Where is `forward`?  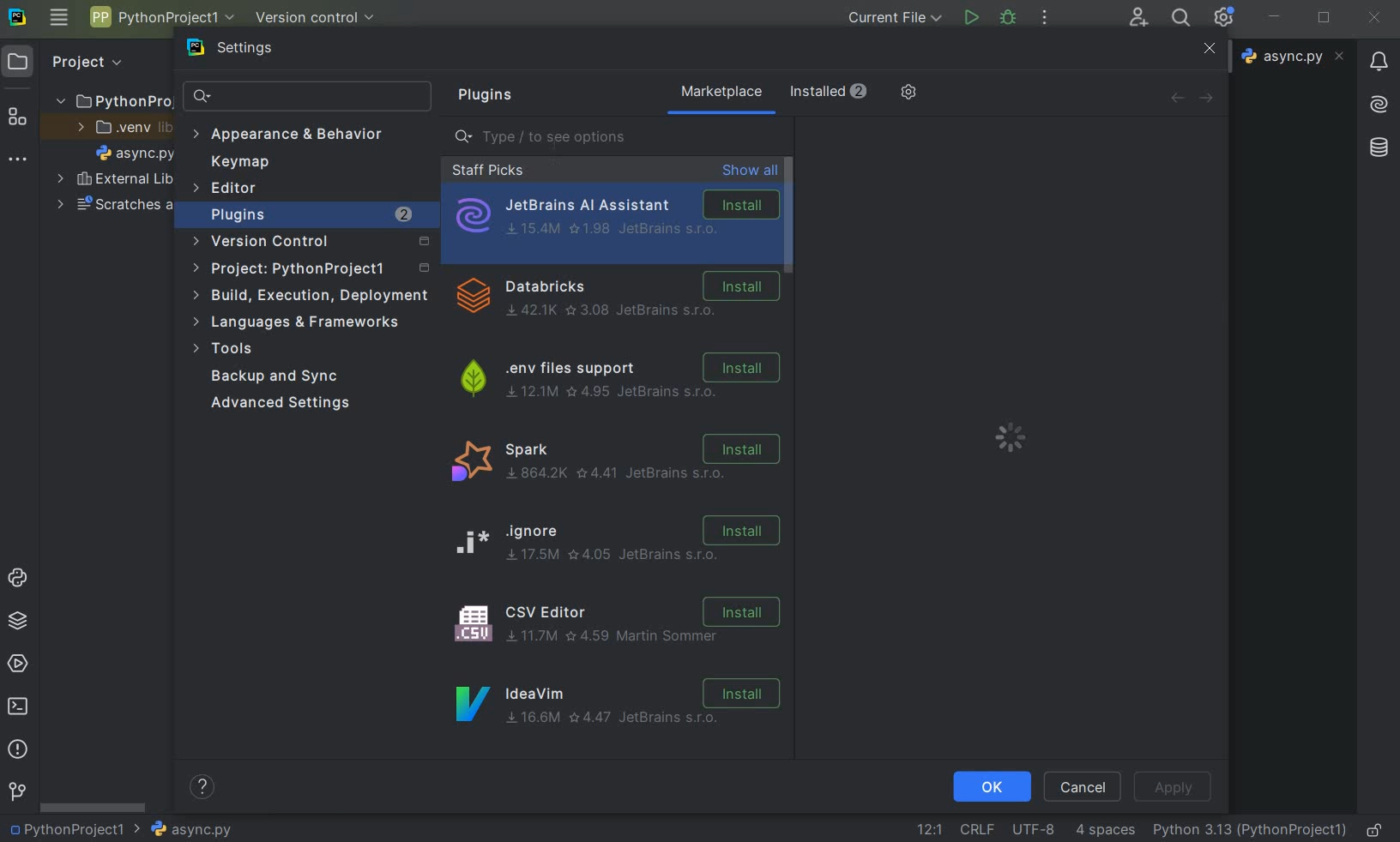
forward is located at coordinates (1211, 98).